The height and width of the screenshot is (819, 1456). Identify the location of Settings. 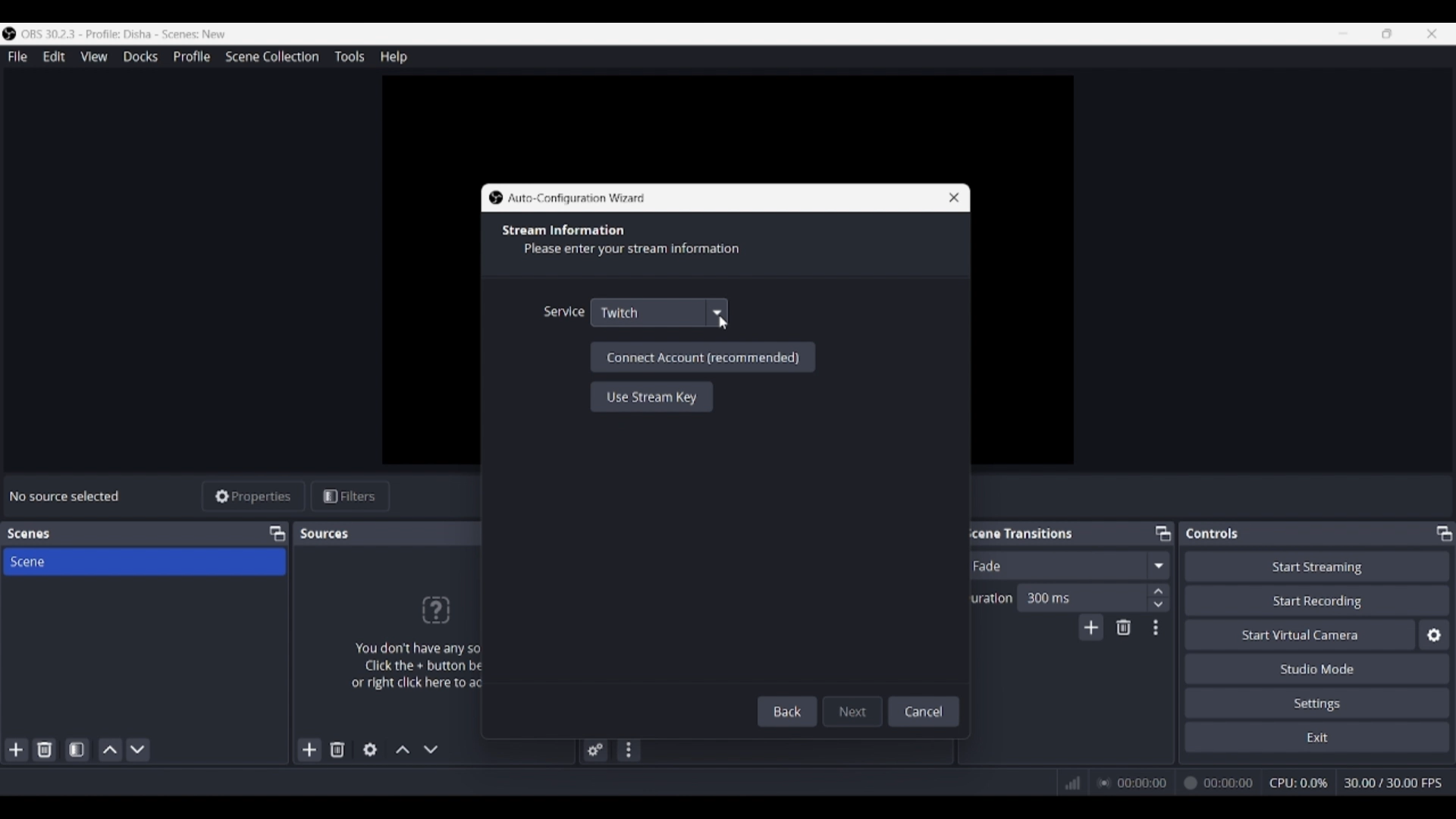
(1318, 702).